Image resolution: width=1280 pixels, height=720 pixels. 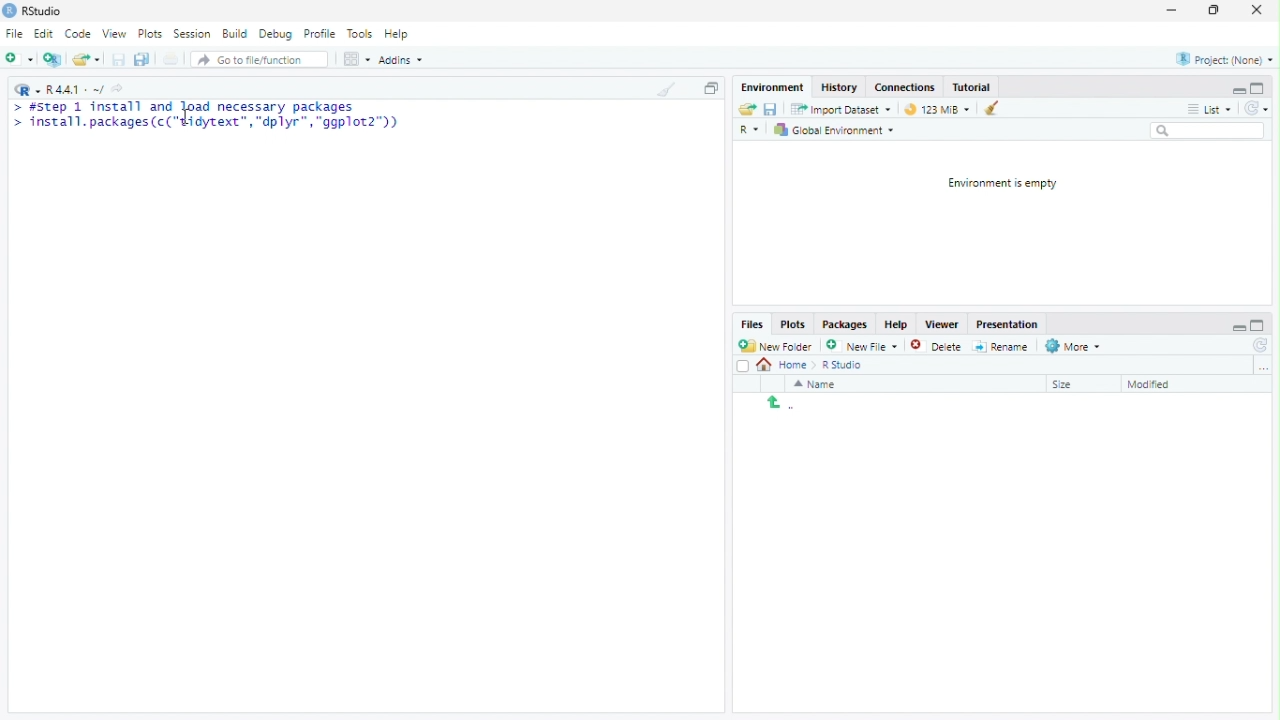 What do you see at coordinates (788, 365) in the screenshot?
I see `Home` at bounding box center [788, 365].